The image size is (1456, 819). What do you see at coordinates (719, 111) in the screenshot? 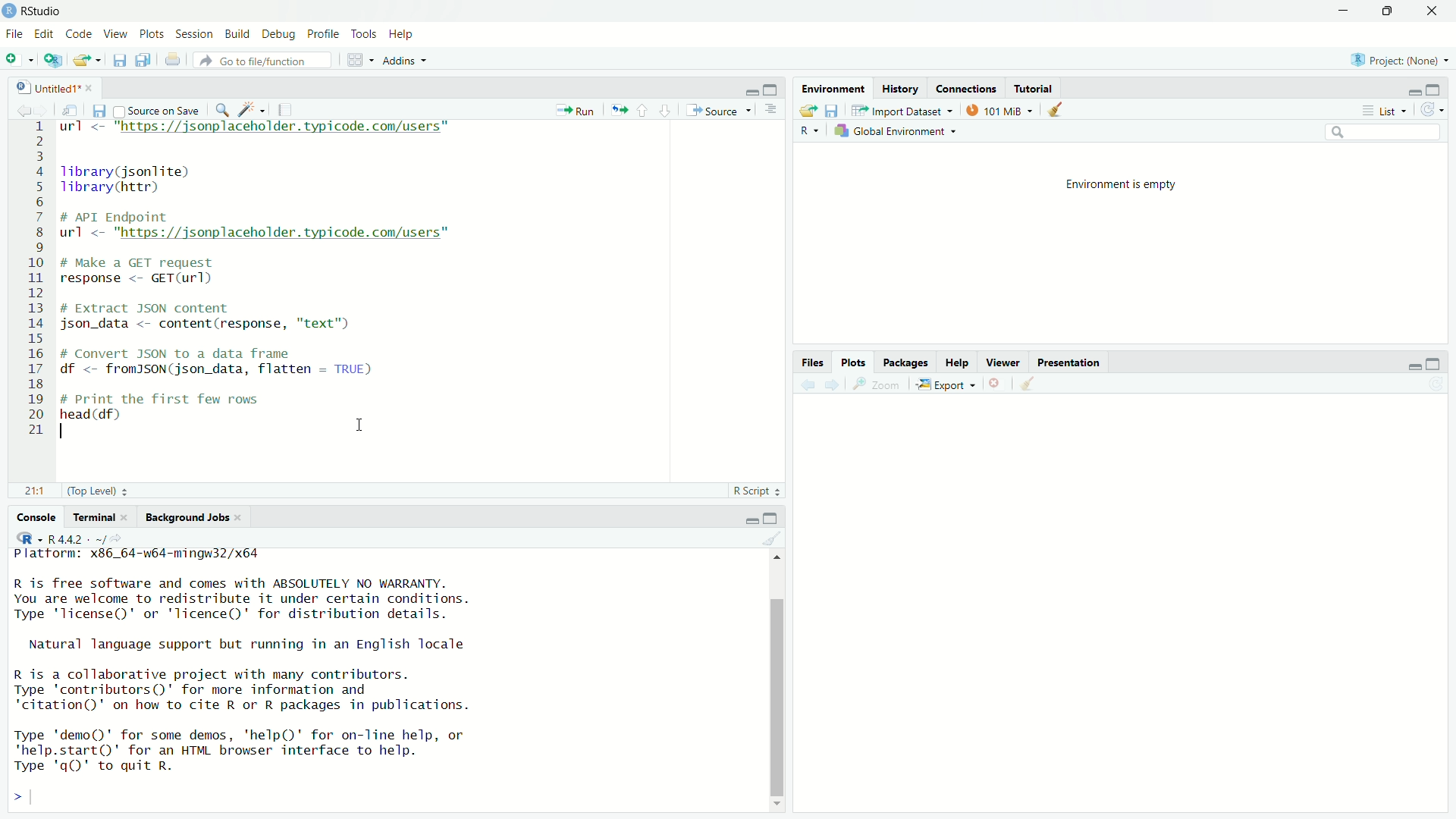
I see `Source ` at bounding box center [719, 111].